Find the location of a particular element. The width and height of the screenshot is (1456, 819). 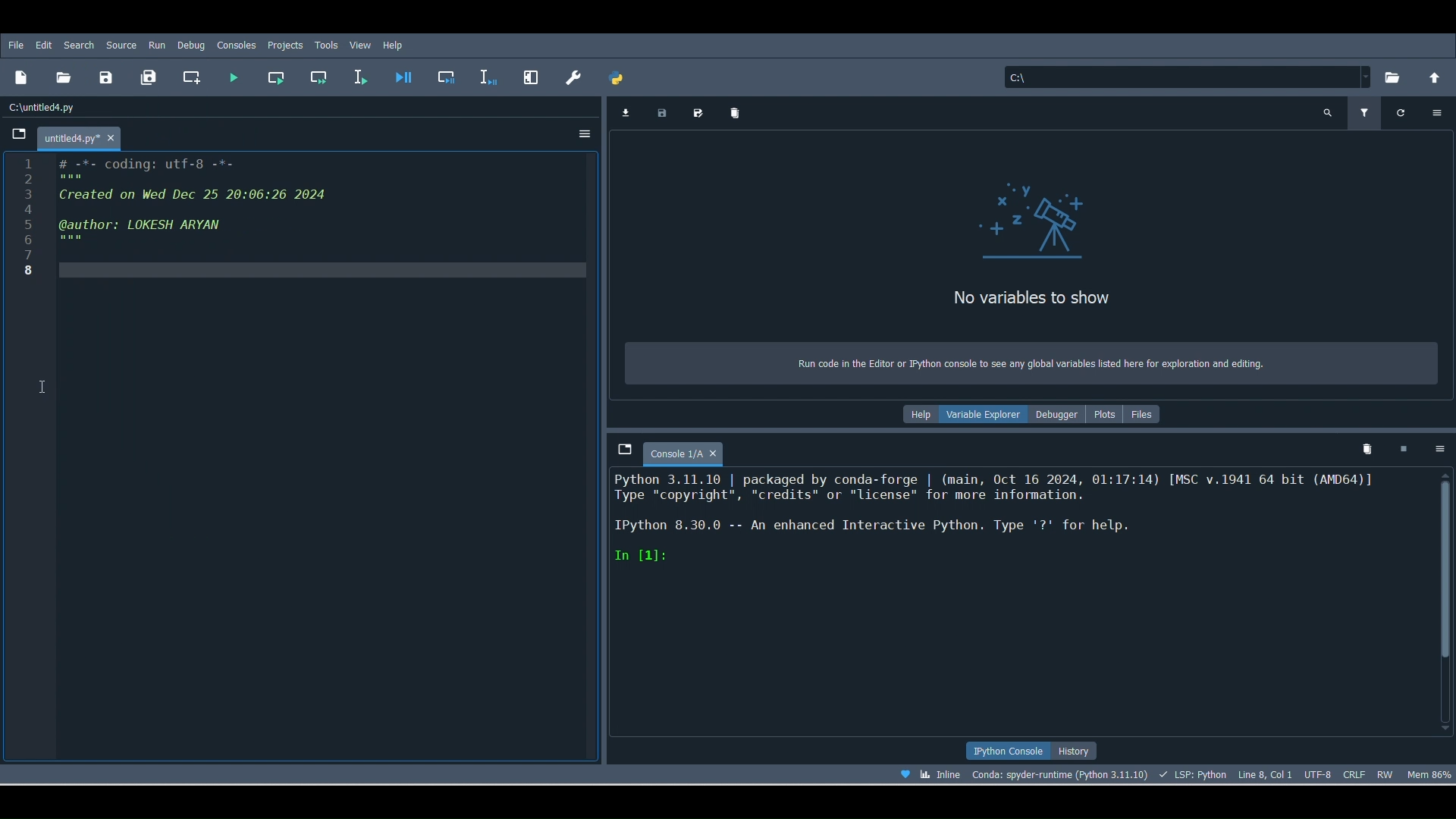

Browse tabs is located at coordinates (623, 452).